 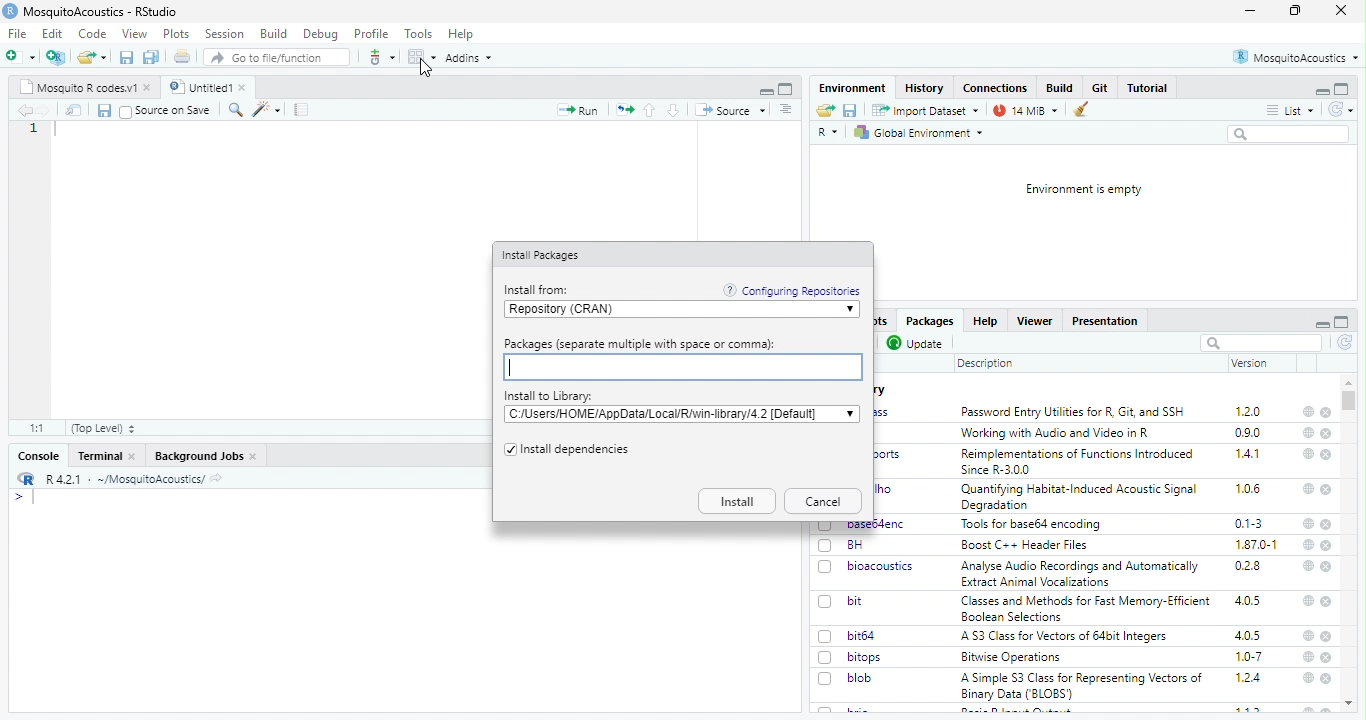 What do you see at coordinates (419, 34) in the screenshot?
I see `Tools` at bounding box center [419, 34].